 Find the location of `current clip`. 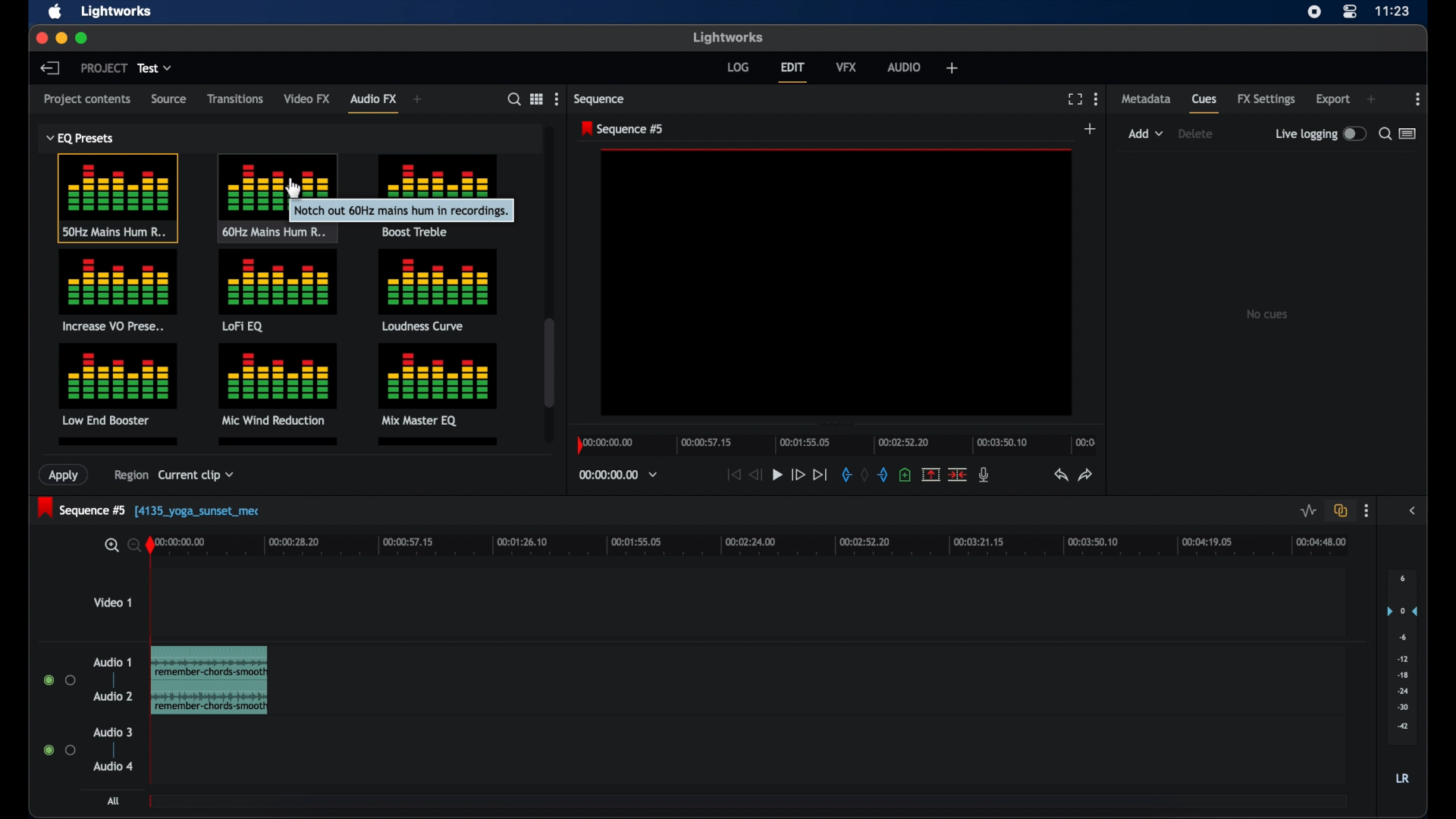

current clip is located at coordinates (196, 478).